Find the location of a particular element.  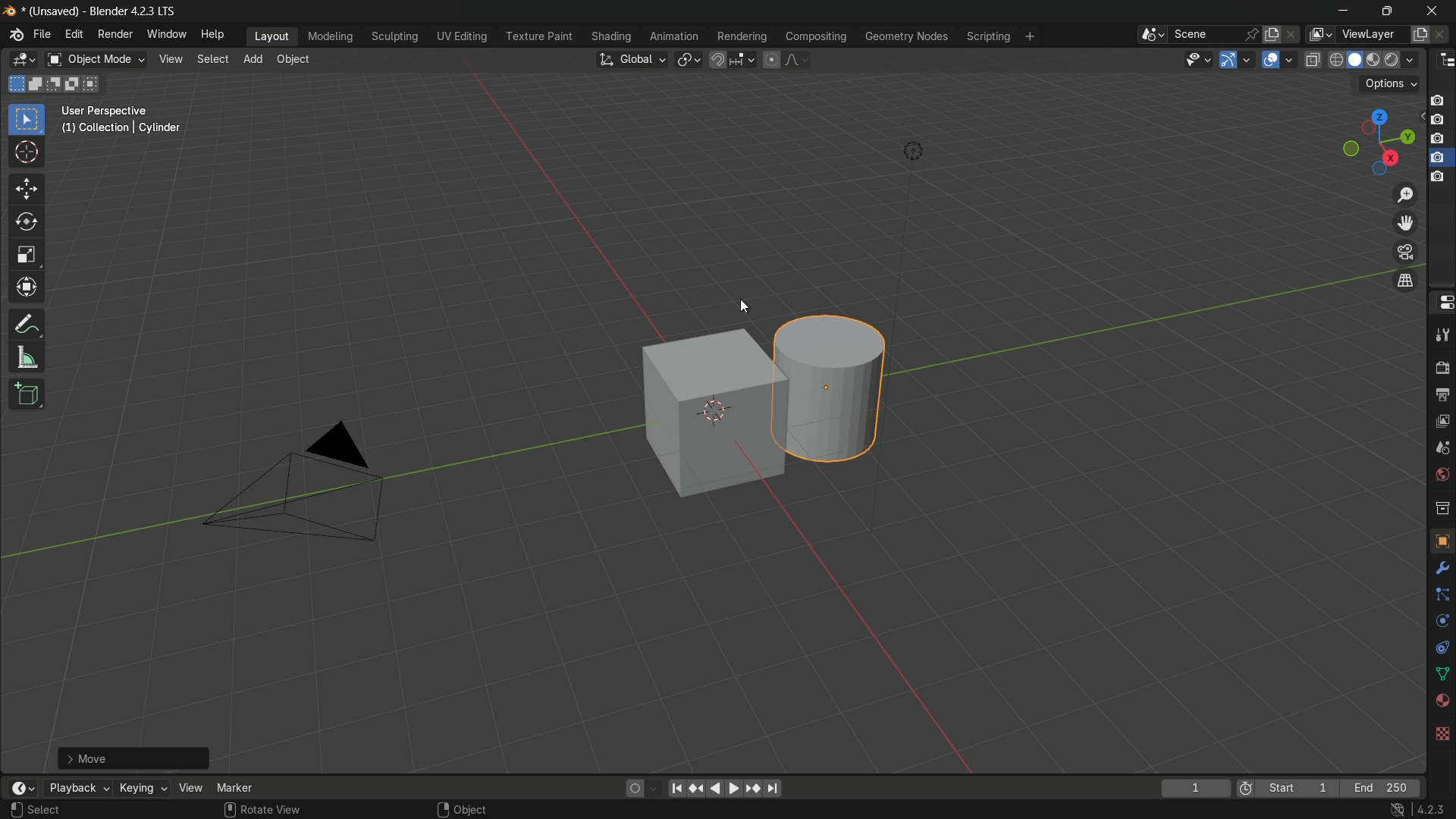

line connecter is located at coordinates (1436, 595).